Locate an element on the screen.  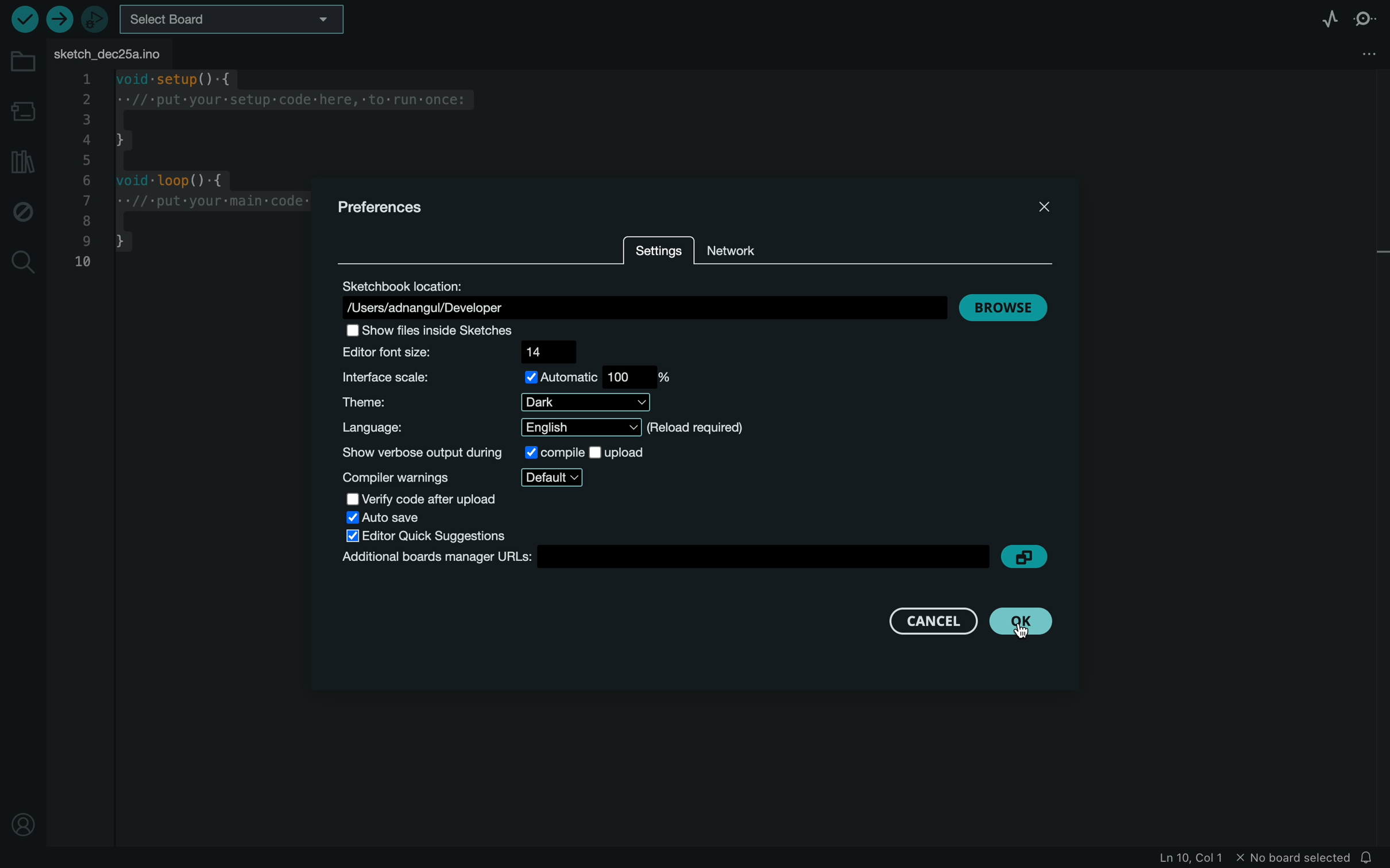
selected is located at coordinates (435, 537).